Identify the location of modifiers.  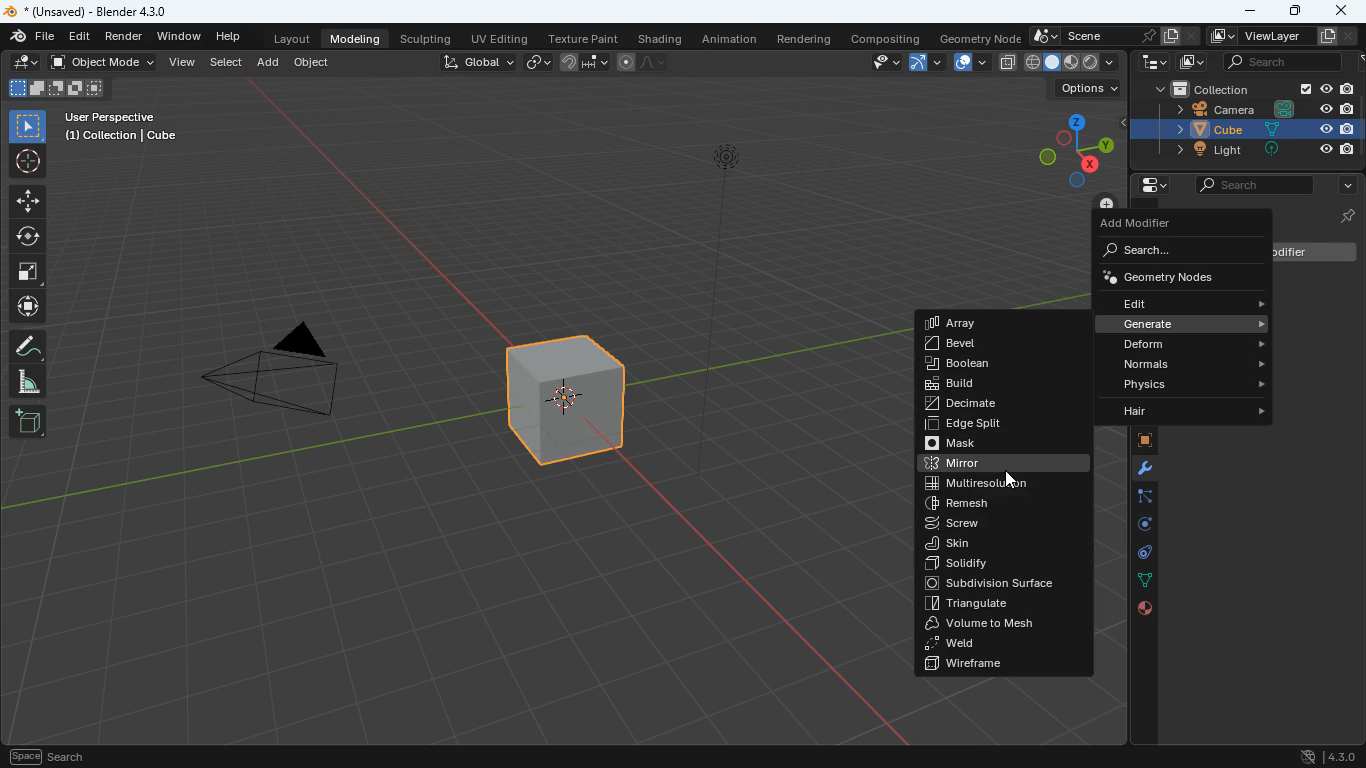
(1136, 470).